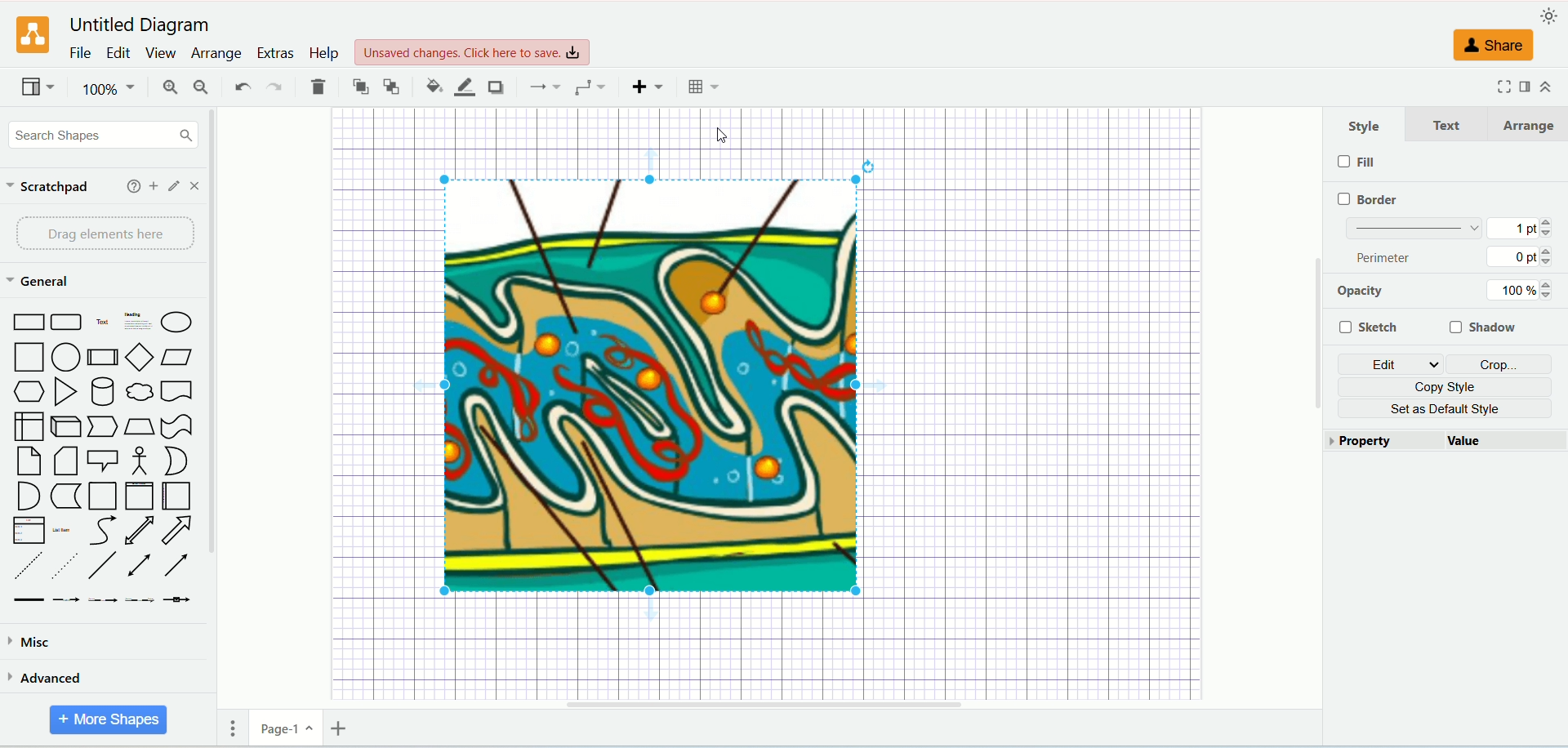 This screenshot has width=1568, height=748. I want to click on scratchpad, so click(50, 189).